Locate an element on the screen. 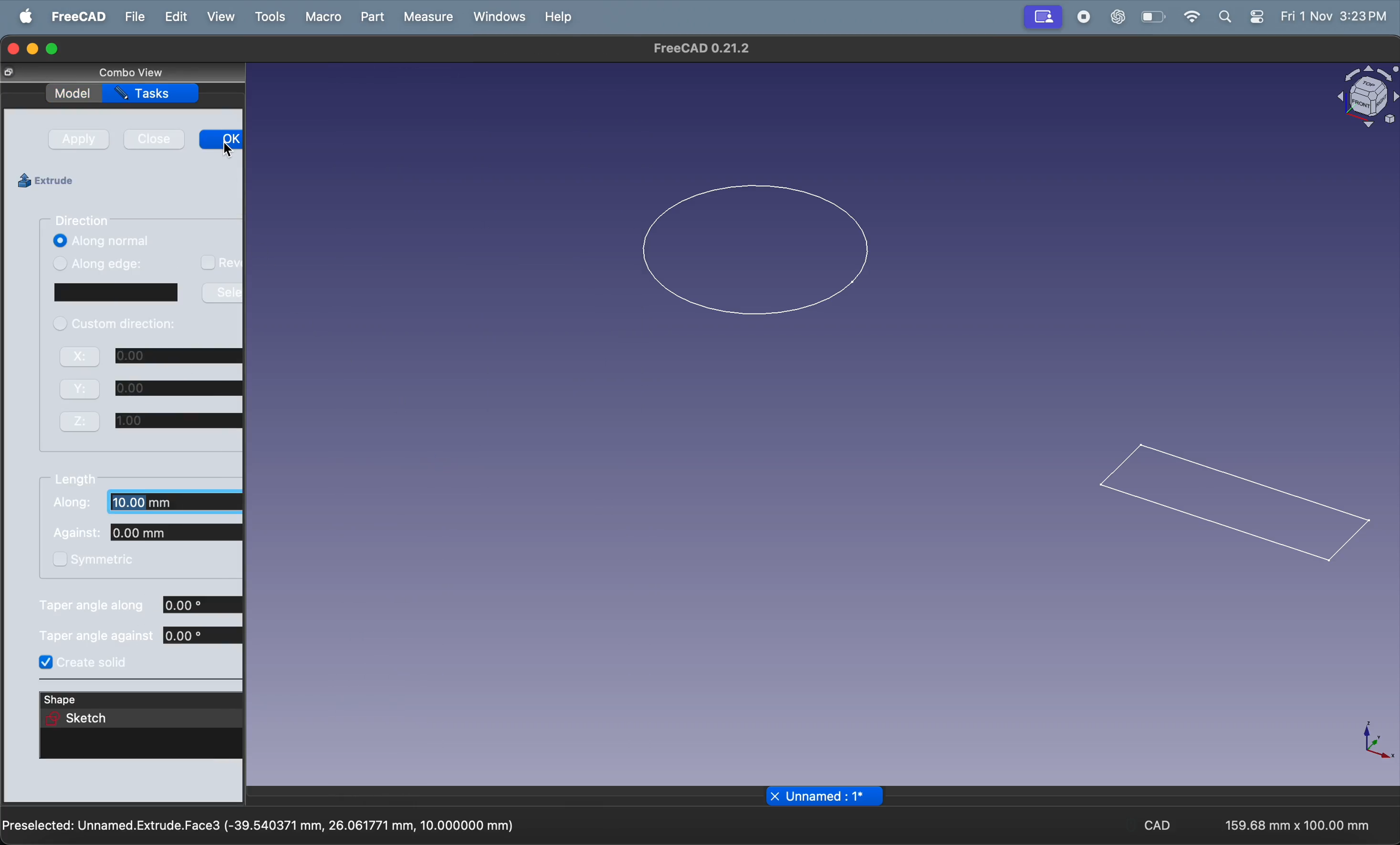  minimize is located at coordinates (31, 49).